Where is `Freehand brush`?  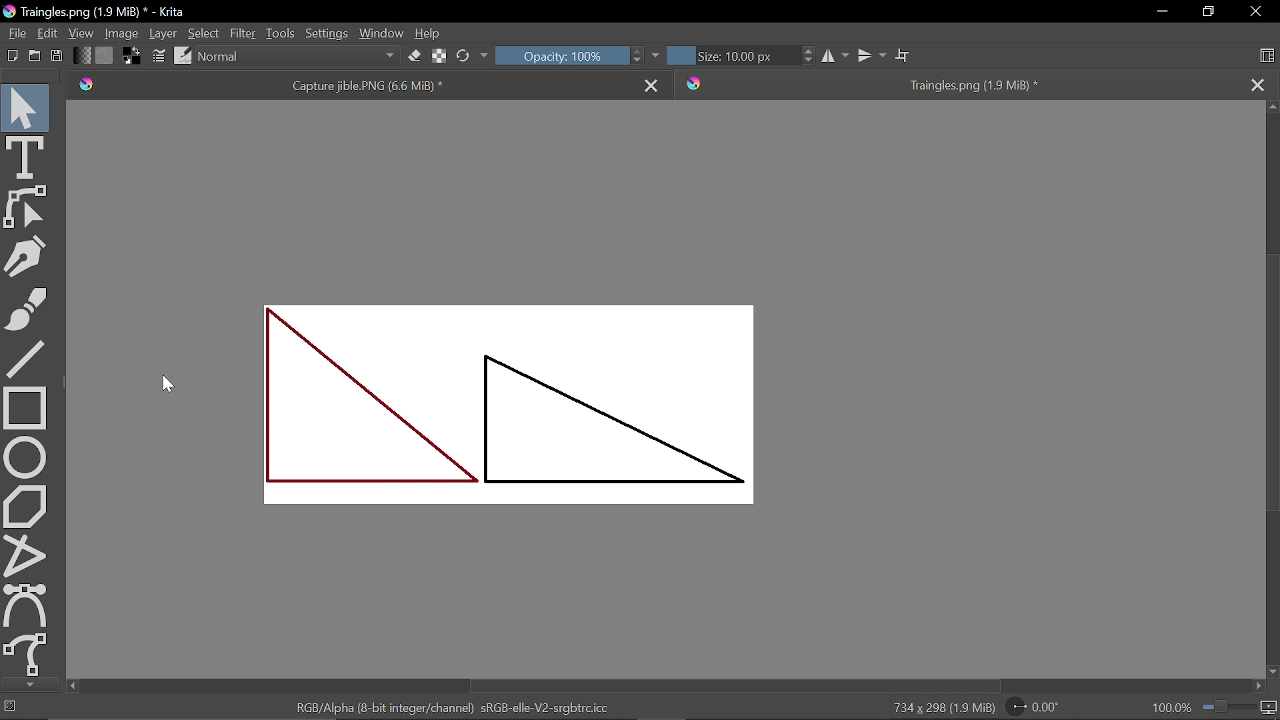 Freehand brush is located at coordinates (26, 309).